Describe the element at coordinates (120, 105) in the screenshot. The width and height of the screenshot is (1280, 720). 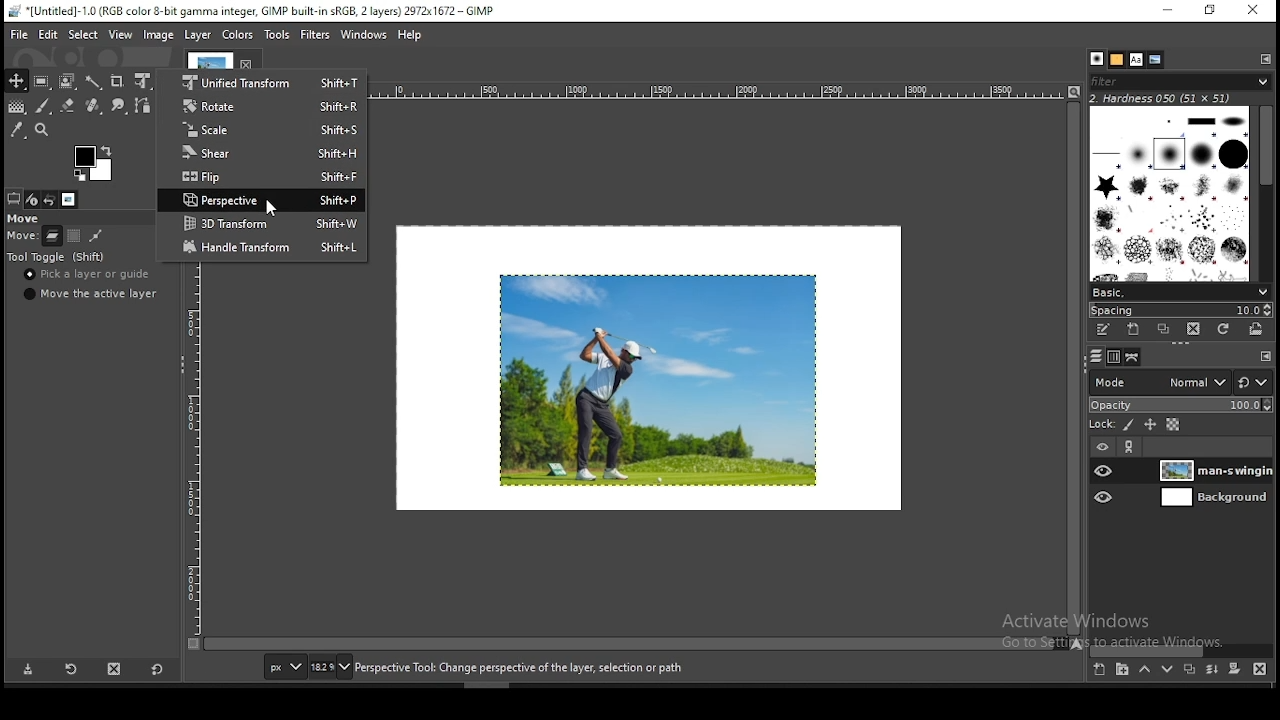
I see `smudge tool` at that location.